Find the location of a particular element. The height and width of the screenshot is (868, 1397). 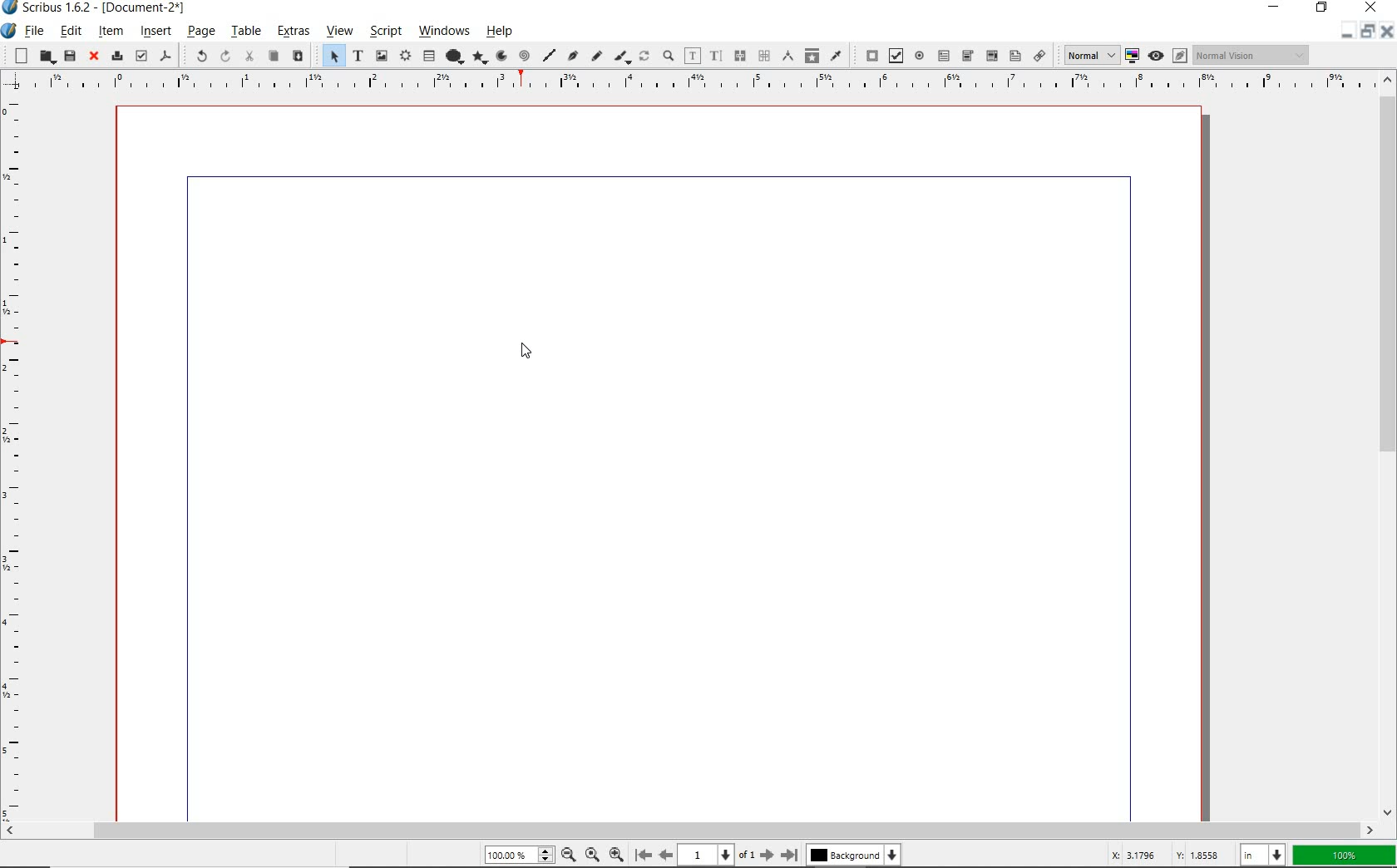

print is located at coordinates (116, 56).